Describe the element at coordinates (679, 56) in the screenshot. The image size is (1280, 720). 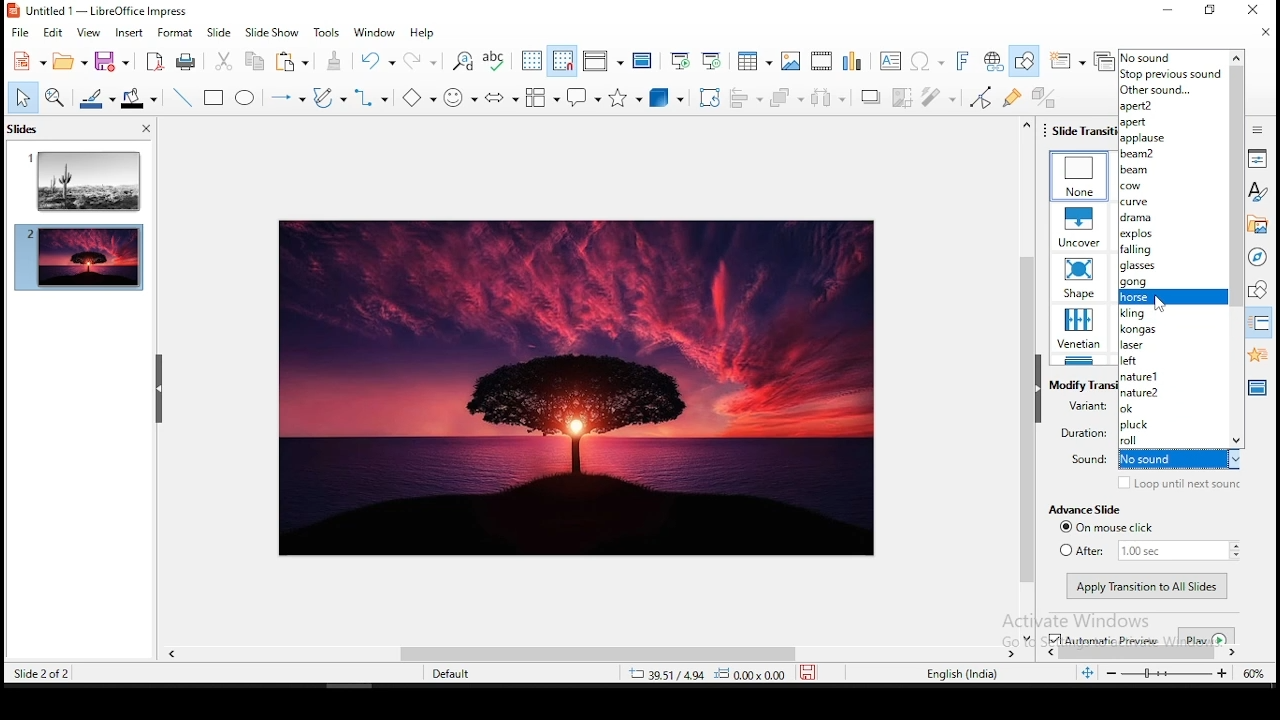
I see `start from first slide` at that location.